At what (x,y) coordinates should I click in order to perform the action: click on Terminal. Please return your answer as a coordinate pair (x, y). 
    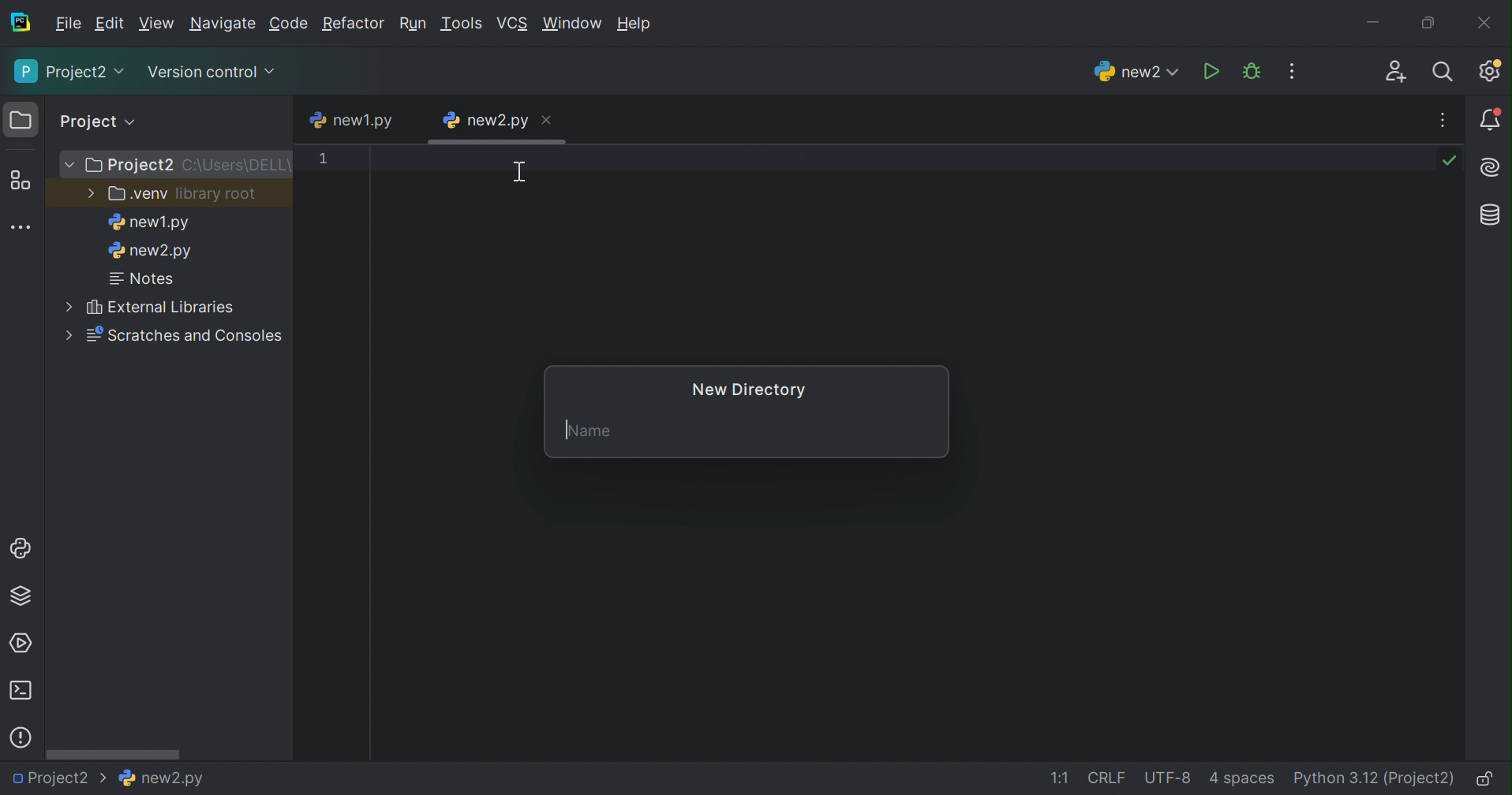
    Looking at the image, I should click on (20, 691).